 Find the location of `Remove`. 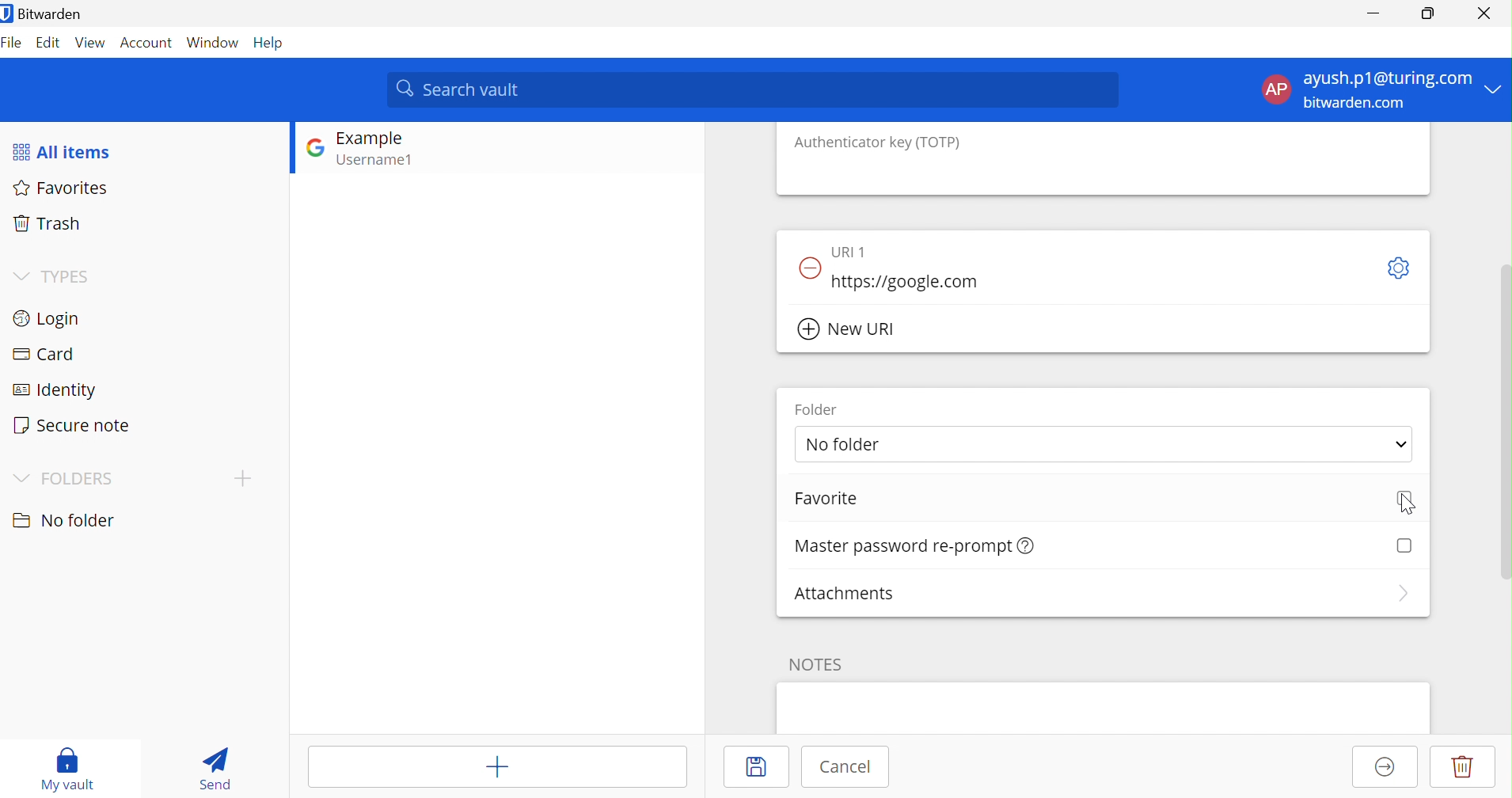

Remove is located at coordinates (808, 268).